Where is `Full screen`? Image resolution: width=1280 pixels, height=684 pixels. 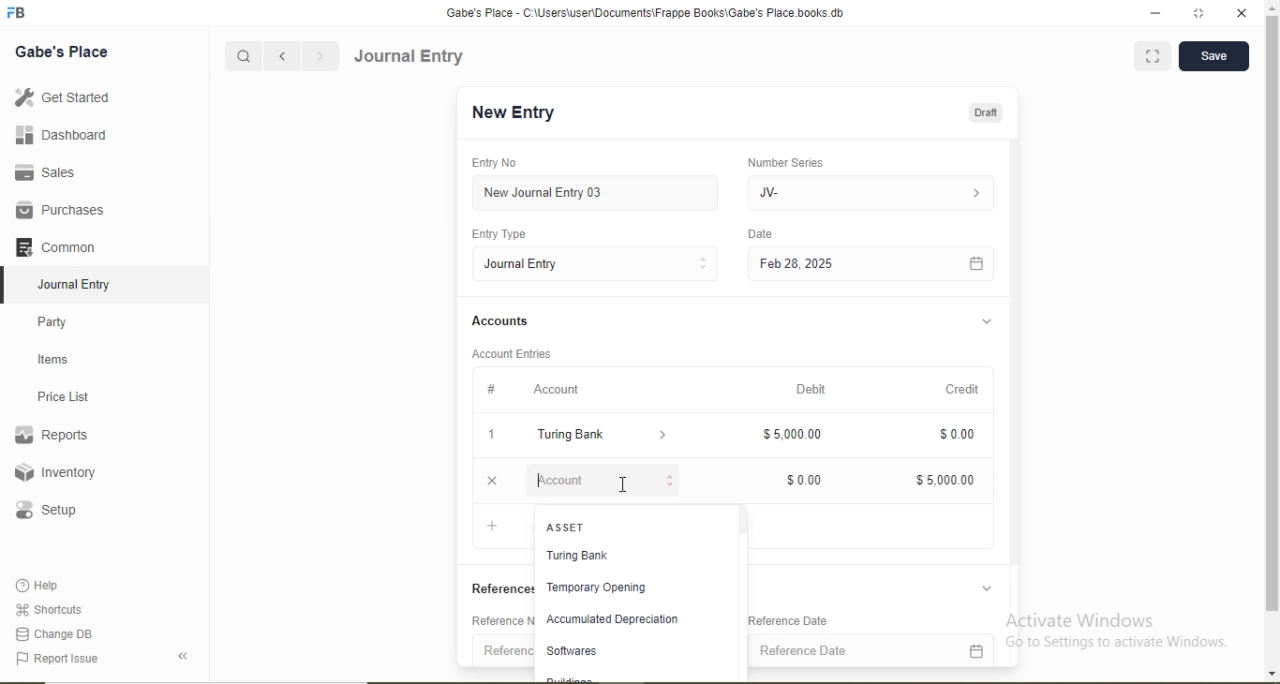
Full screen is located at coordinates (1155, 56).